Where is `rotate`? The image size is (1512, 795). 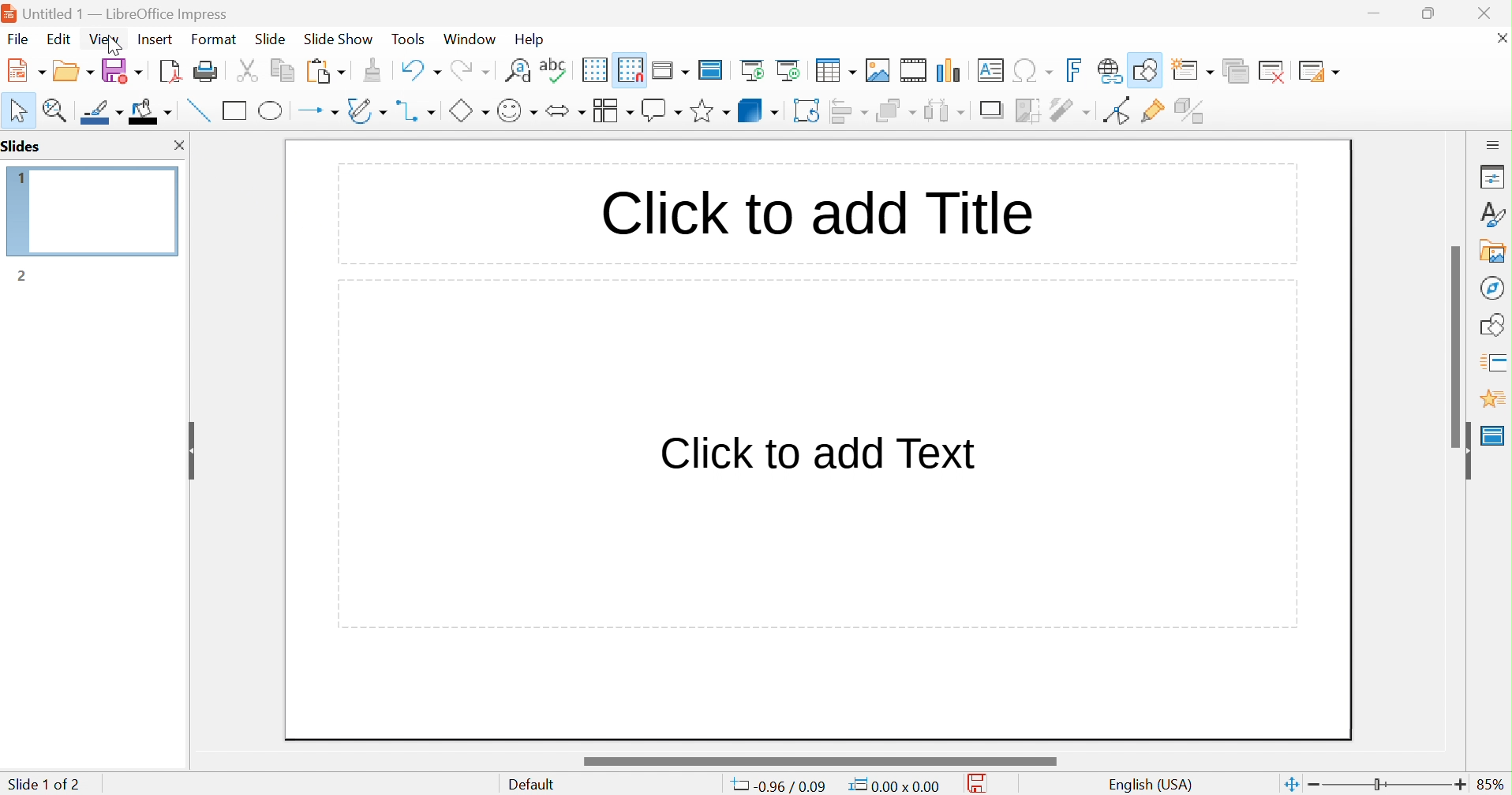 rotate is located at coordinates (808, 110).